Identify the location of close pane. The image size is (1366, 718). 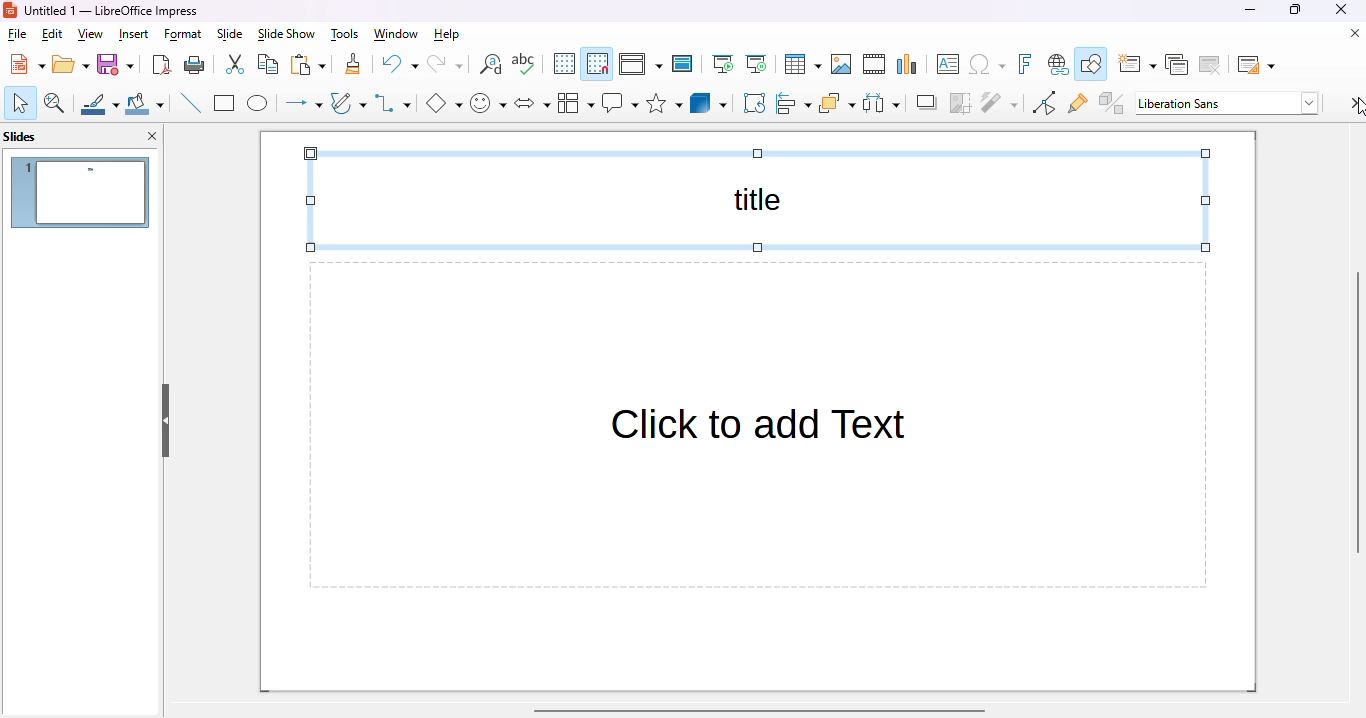
(153, 135).